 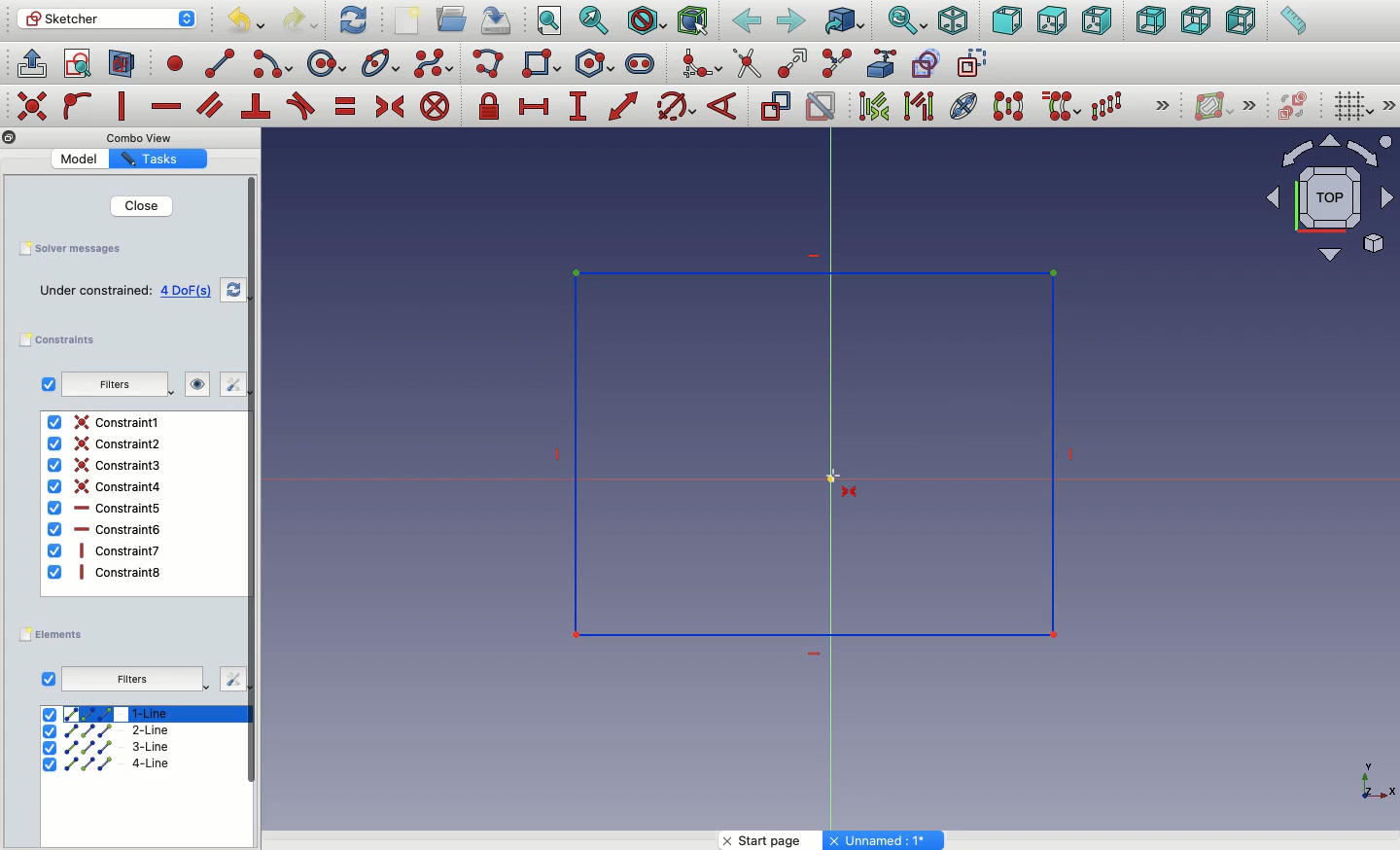 What do you see at coordinates (1240, 21) in the screenshot?
I see `Left` at bounding box center [1240, 21].